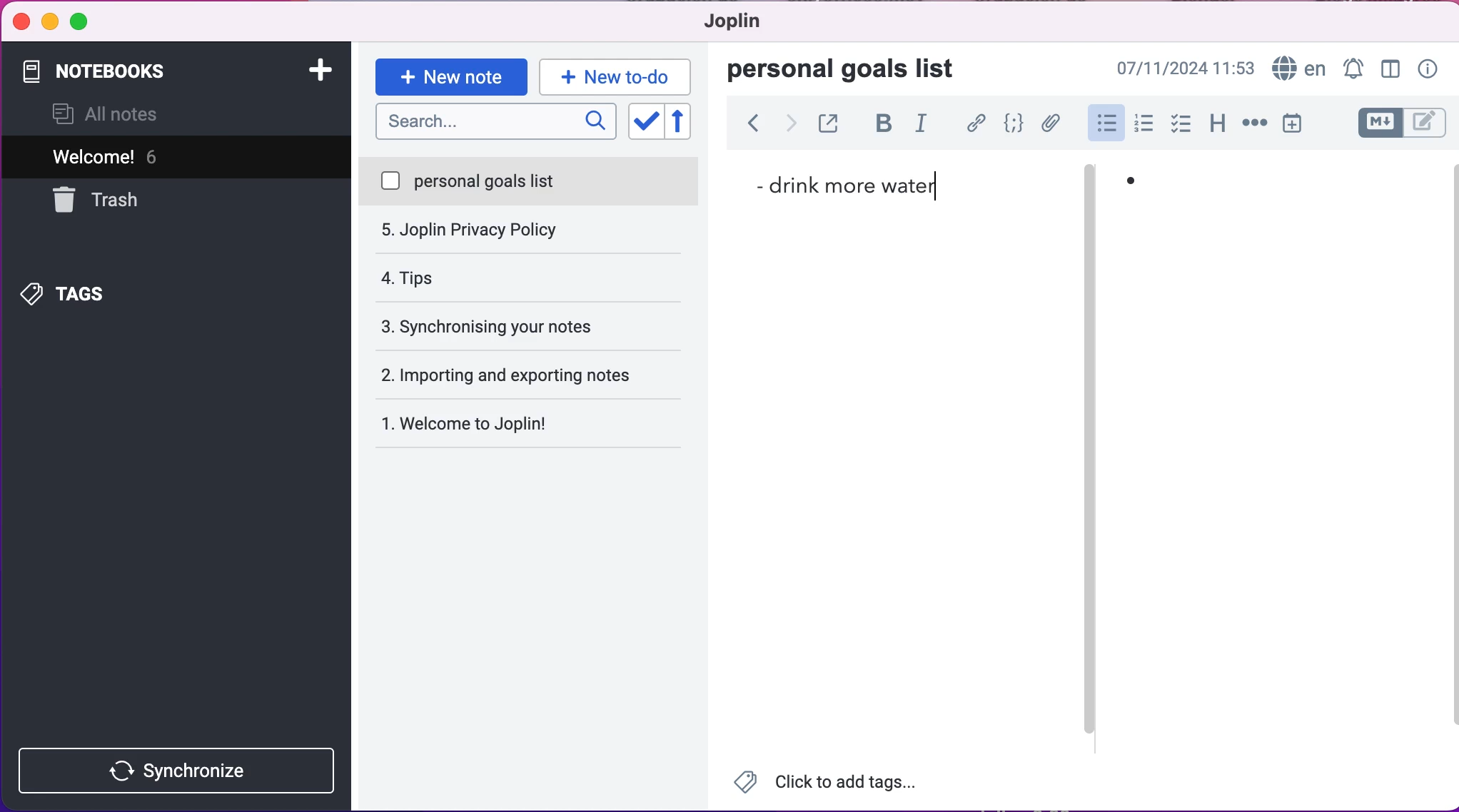 The image size is (1459, 812). I want to click on code, so click(1011, 124).